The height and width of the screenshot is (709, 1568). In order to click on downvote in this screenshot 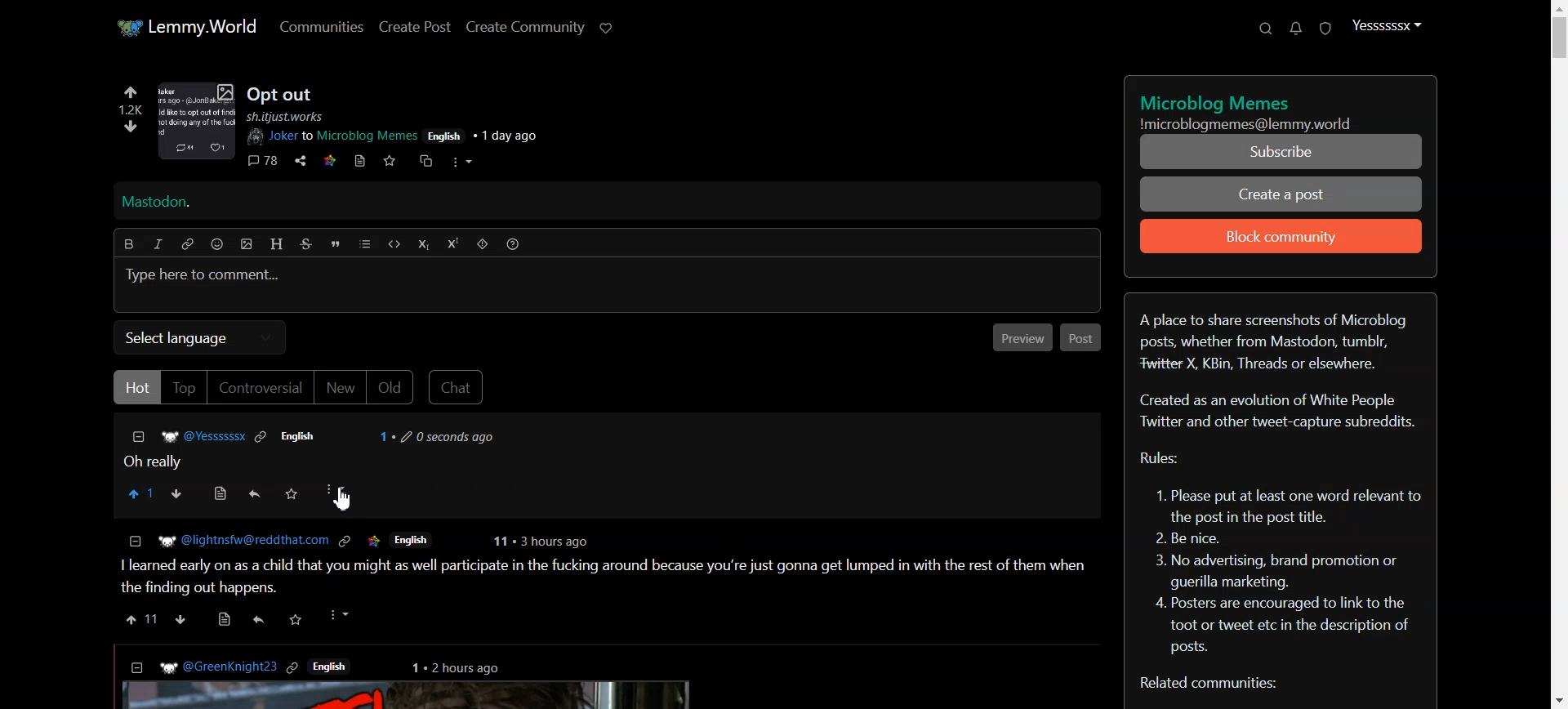, I will do `click(180, 617)`.